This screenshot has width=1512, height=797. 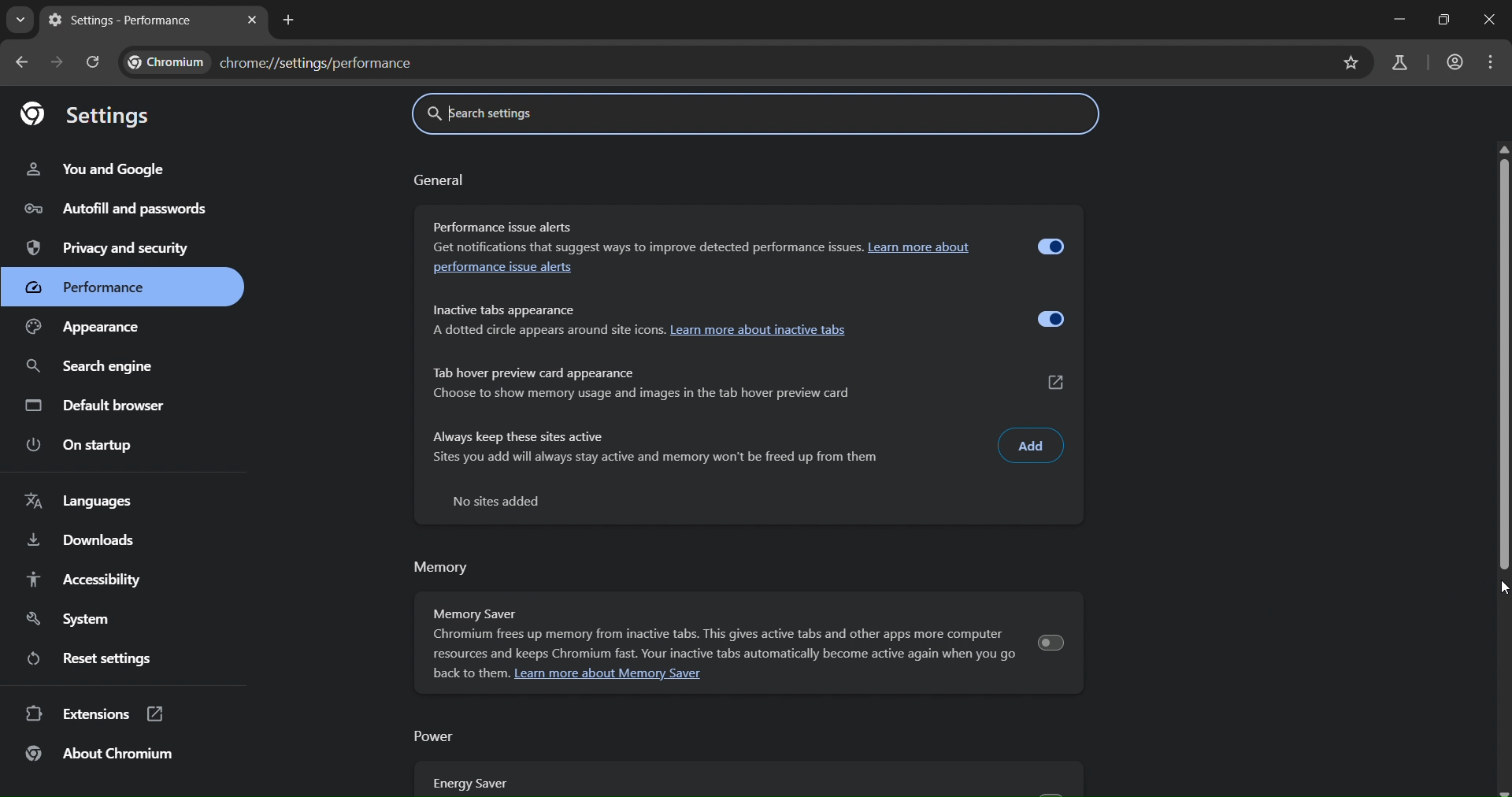 I want to click on bookmark, so click(x=1351, y=63).